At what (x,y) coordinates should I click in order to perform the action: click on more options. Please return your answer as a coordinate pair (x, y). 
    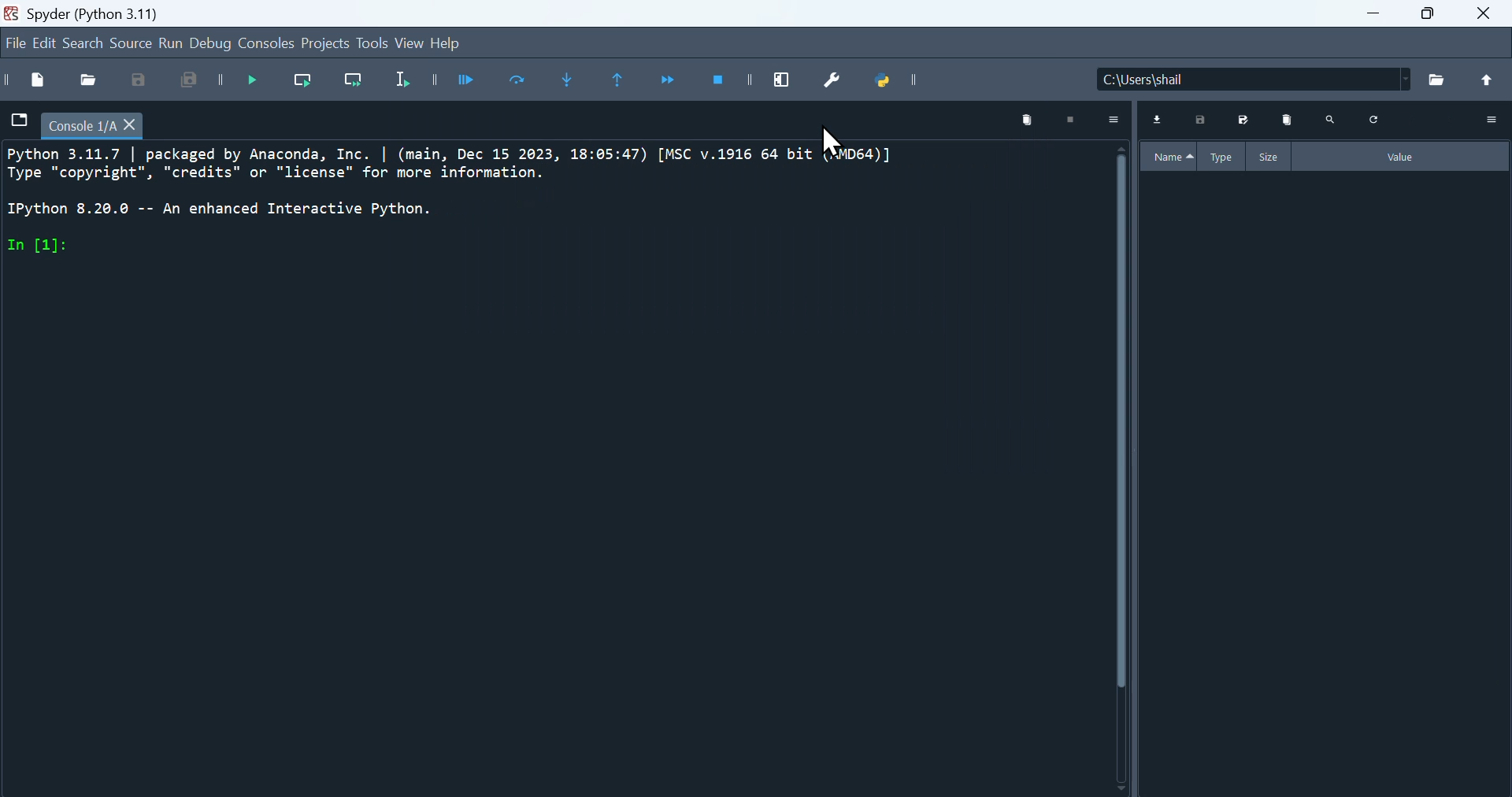
    Looking at the image, I should click on (1119, 120).